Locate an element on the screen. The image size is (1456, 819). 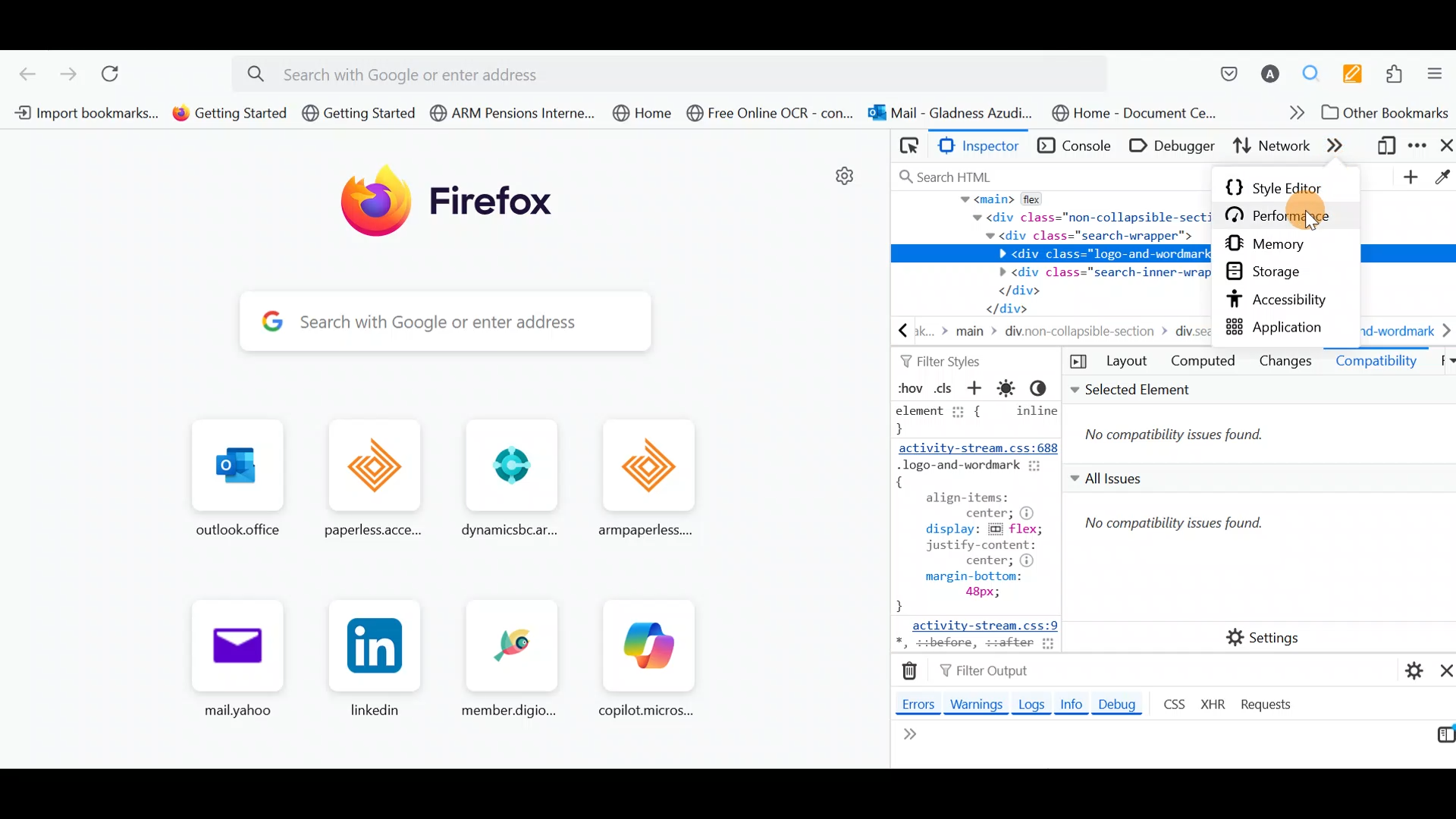
Multi keywords highlighter is located at coordinates (1357, 74).